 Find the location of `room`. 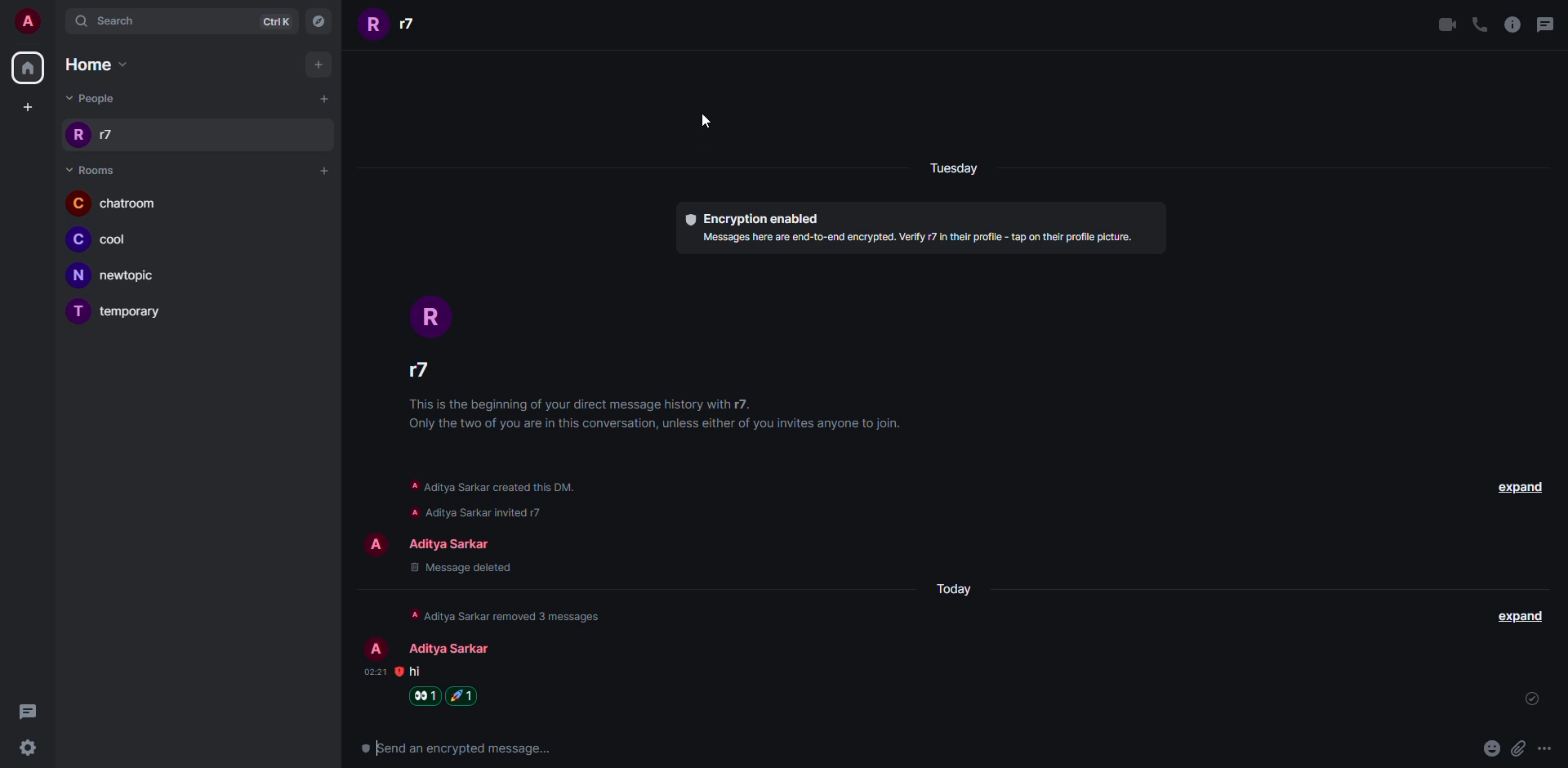

room is located at coordinates (133, 313).